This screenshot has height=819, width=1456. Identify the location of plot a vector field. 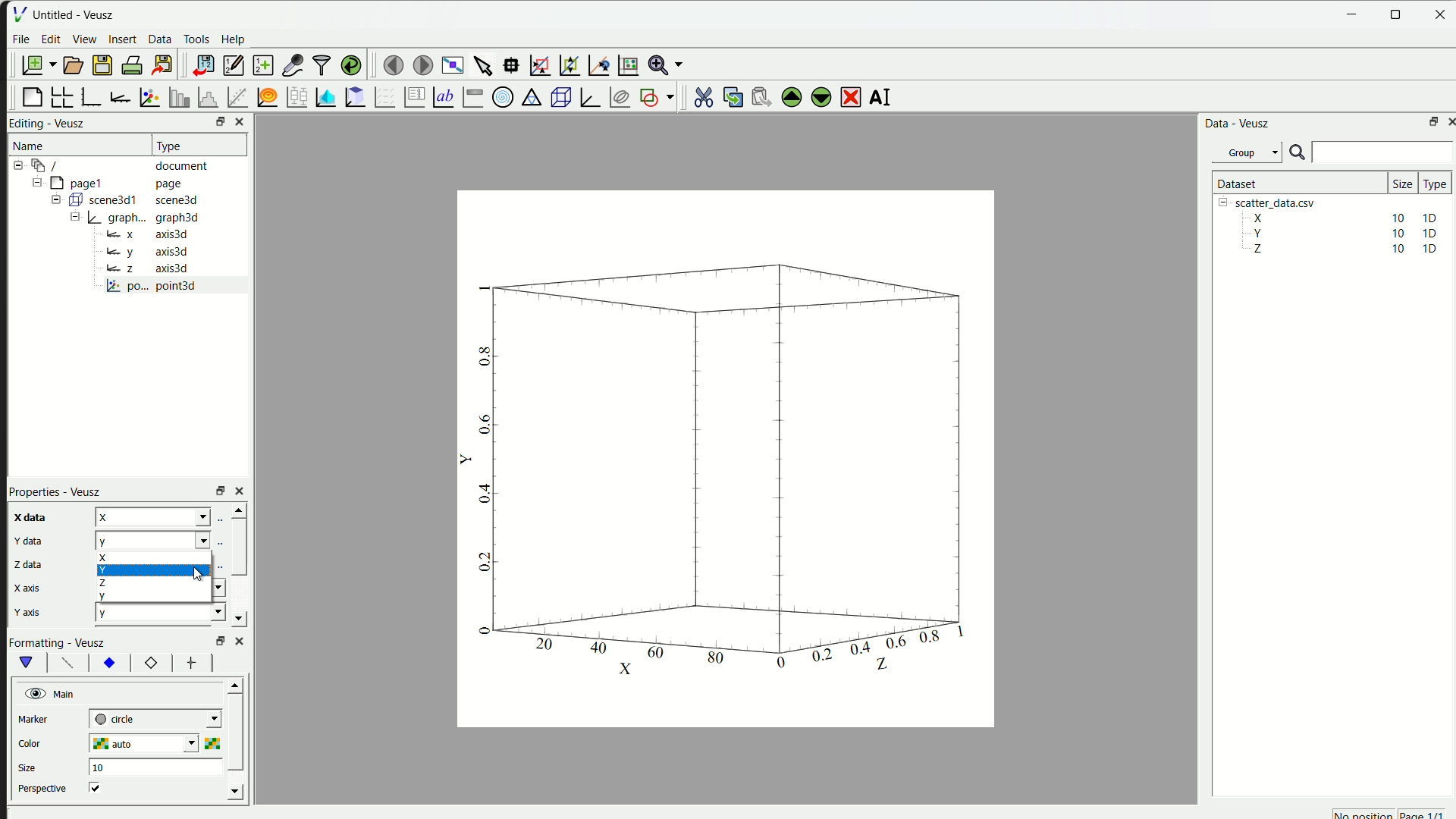
(382, 97).